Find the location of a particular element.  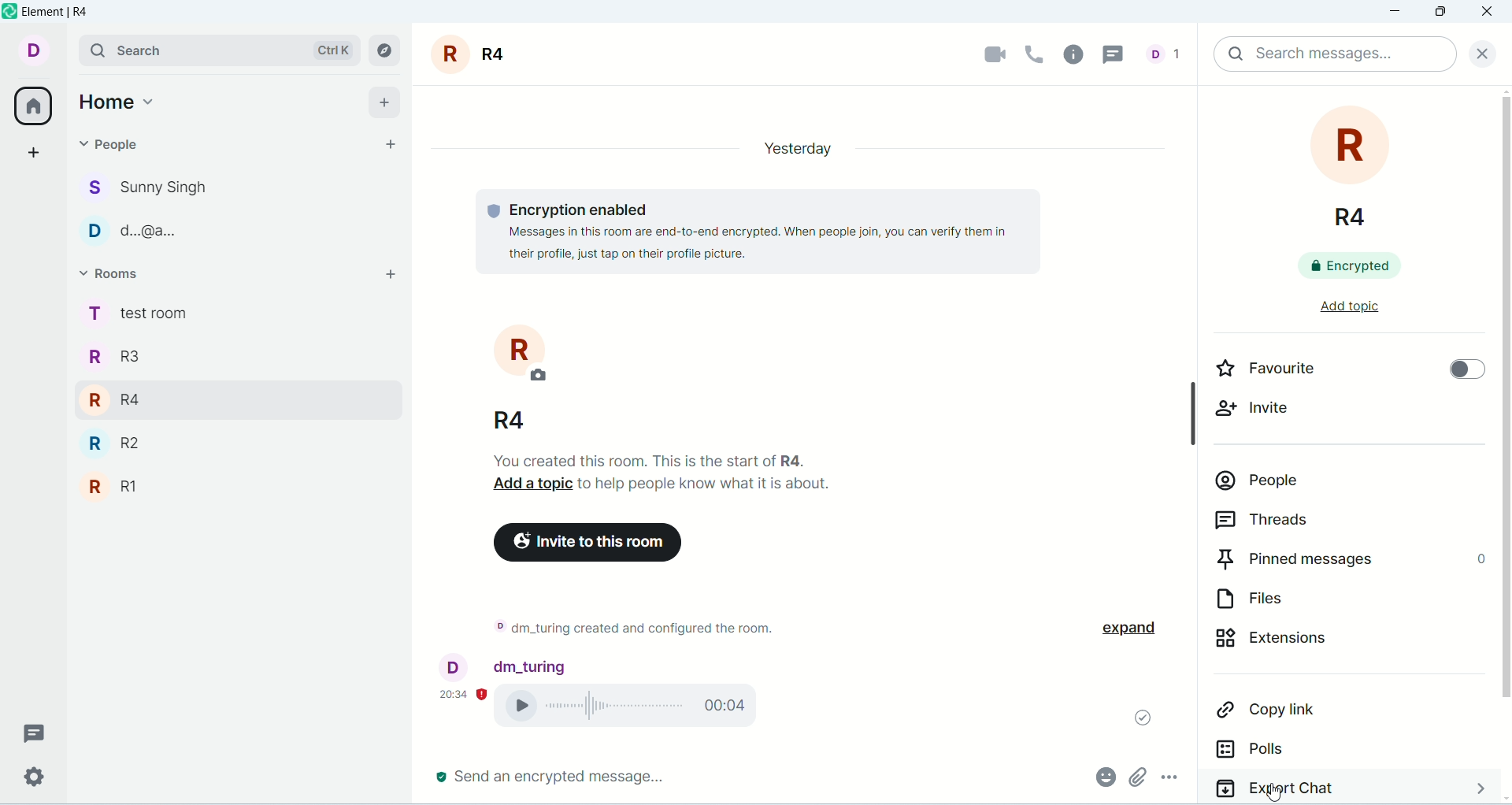

toggle button is located at coordinates (1459, 368).